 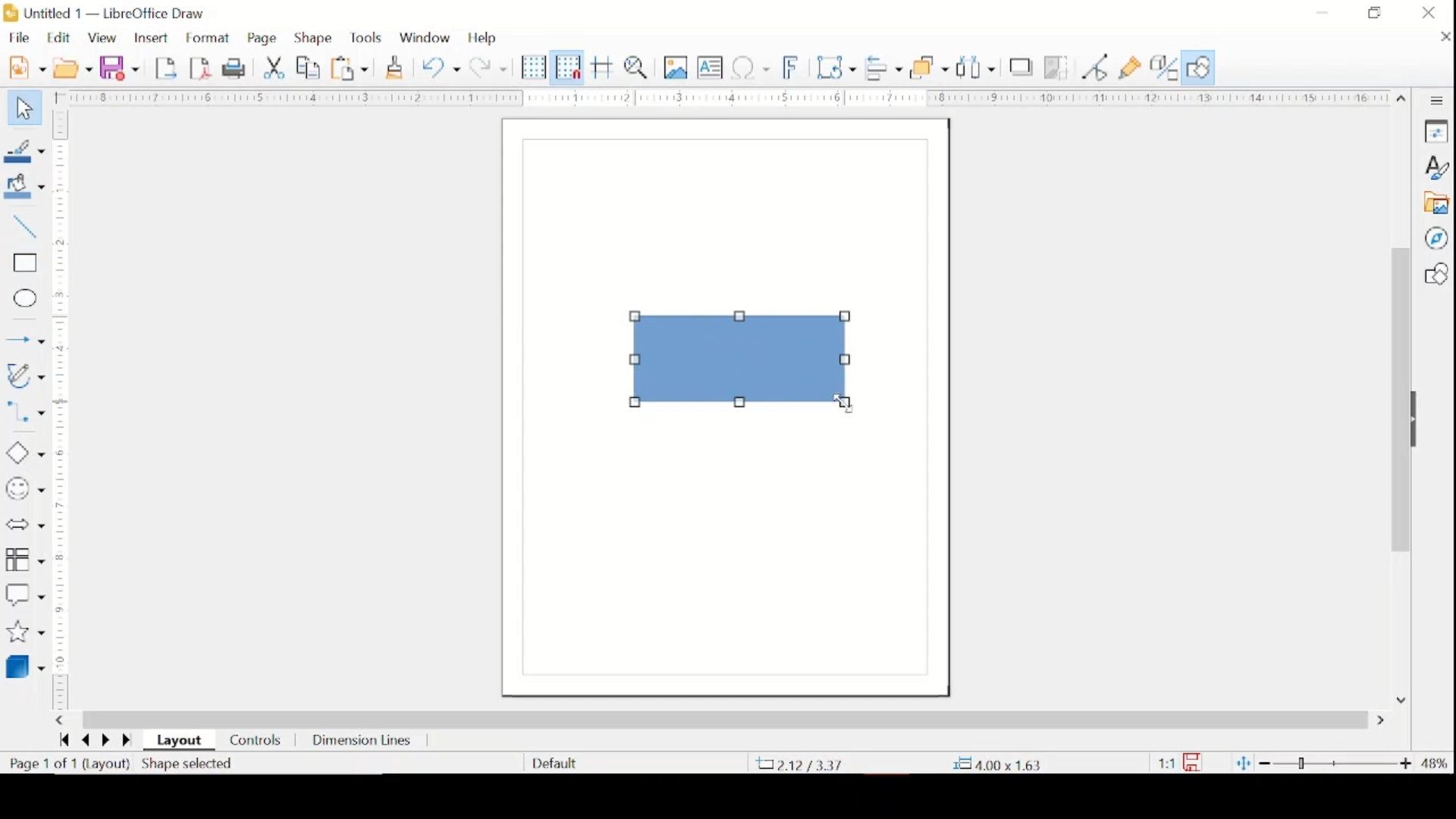 What do you see at coordinates (1384, 721) in the screenshot?
I see `scroll right arrow` at bounding box center [1384, 721].